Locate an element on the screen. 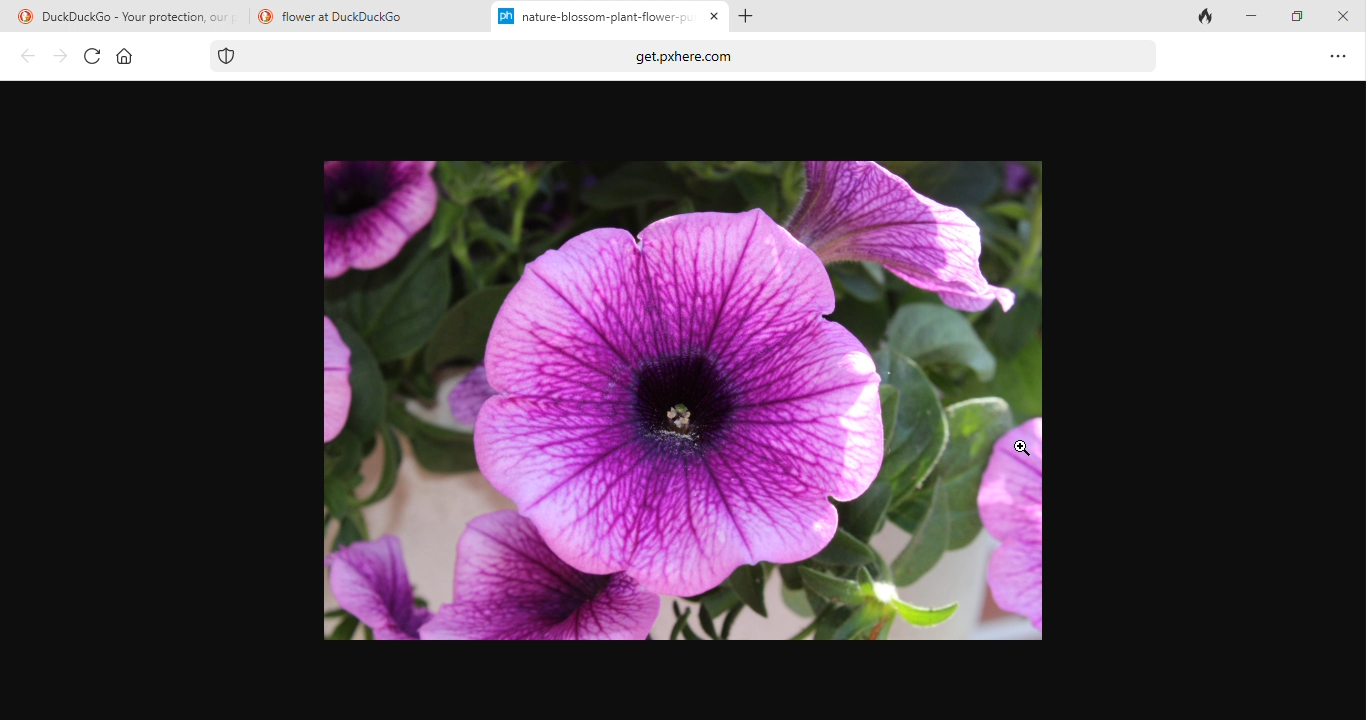 Image resolution: width=1366 pixels, height=720 pixels. refresh is located at coordinates (89, 56).